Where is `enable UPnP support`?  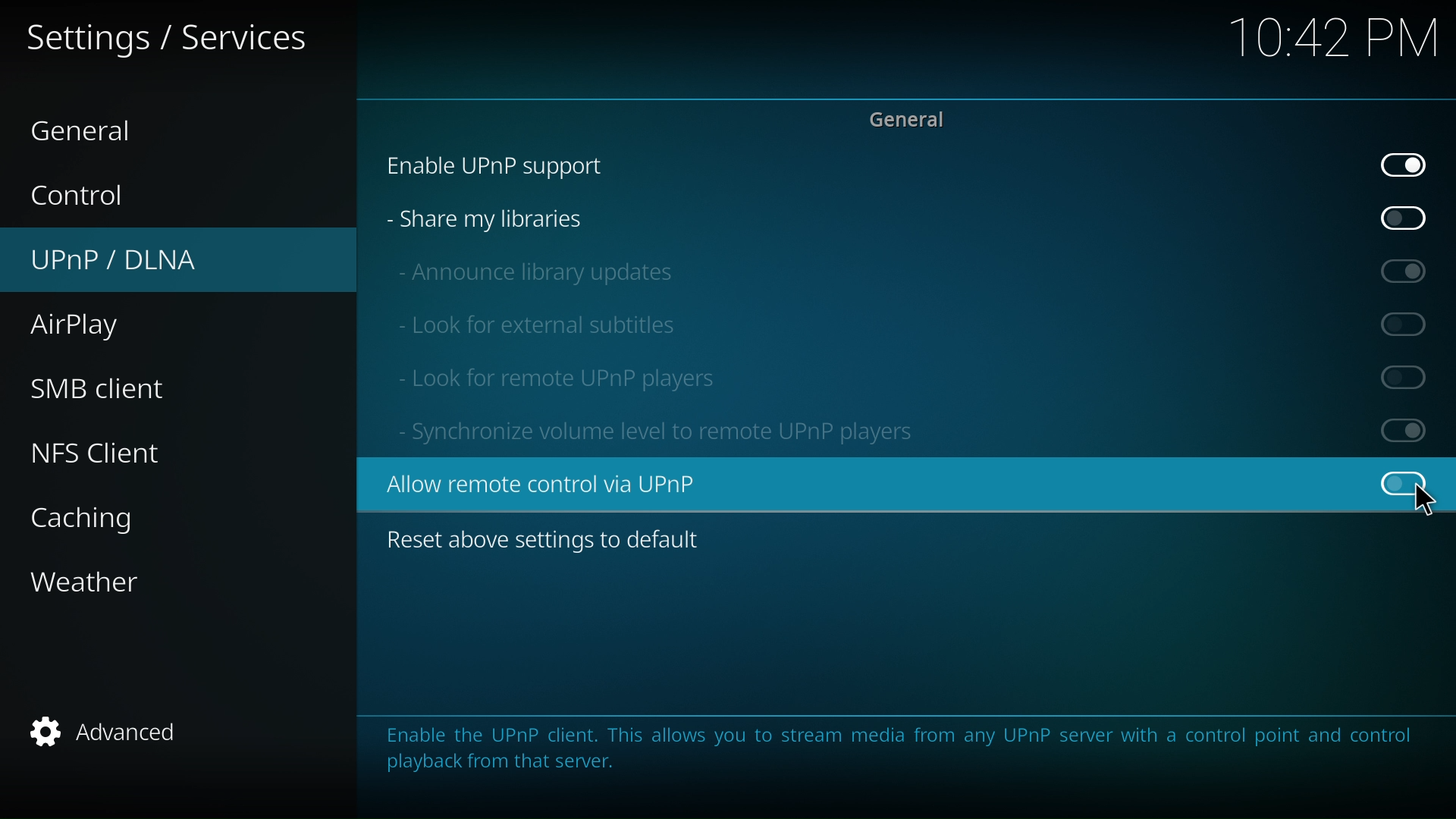 enable UPnP support is located at coordinates (902, 165).